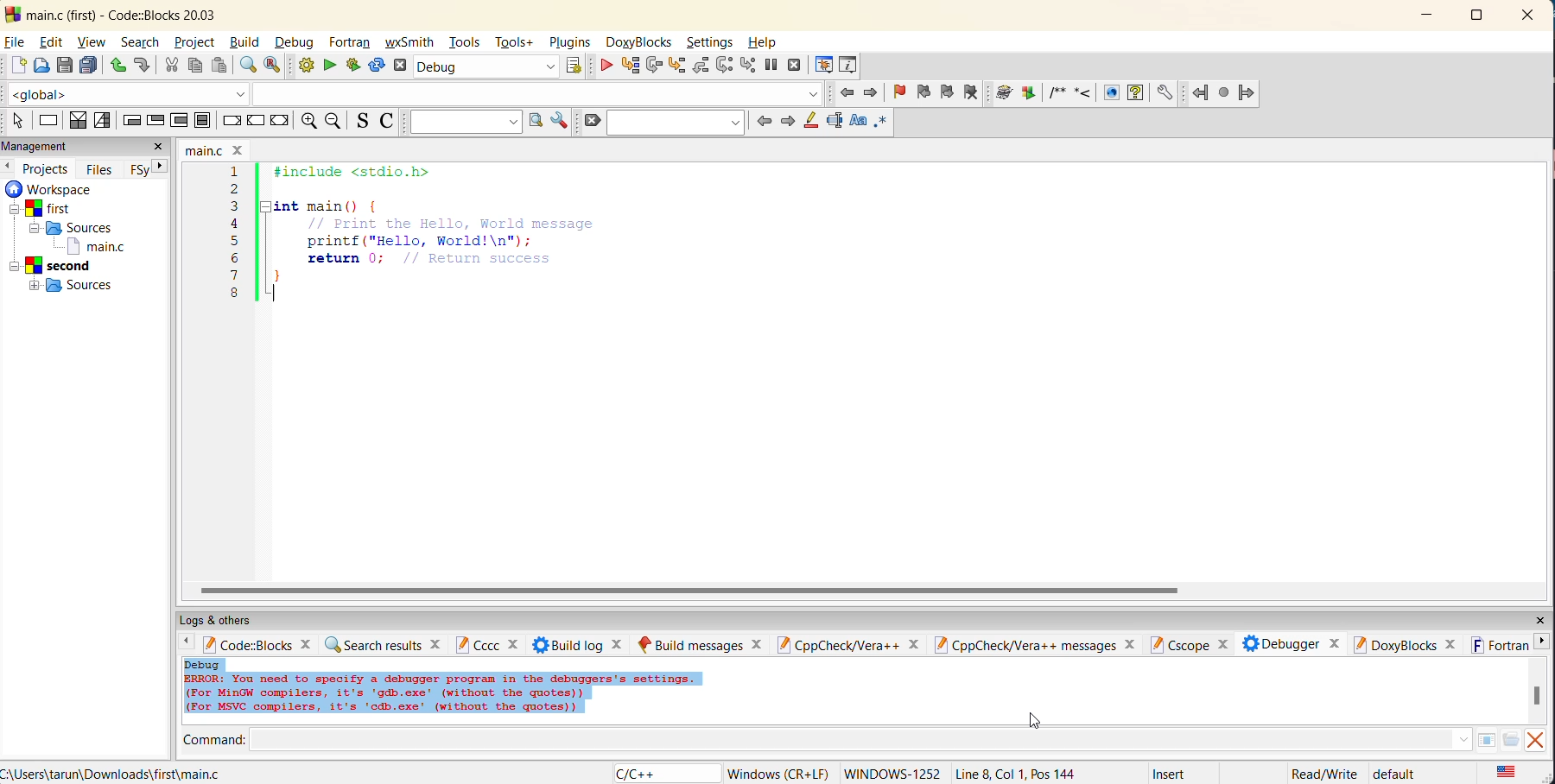  What do you see at coordinates (1428, 17) in the screenshot?
I see `minimize` at bounding box center [1428, 17].